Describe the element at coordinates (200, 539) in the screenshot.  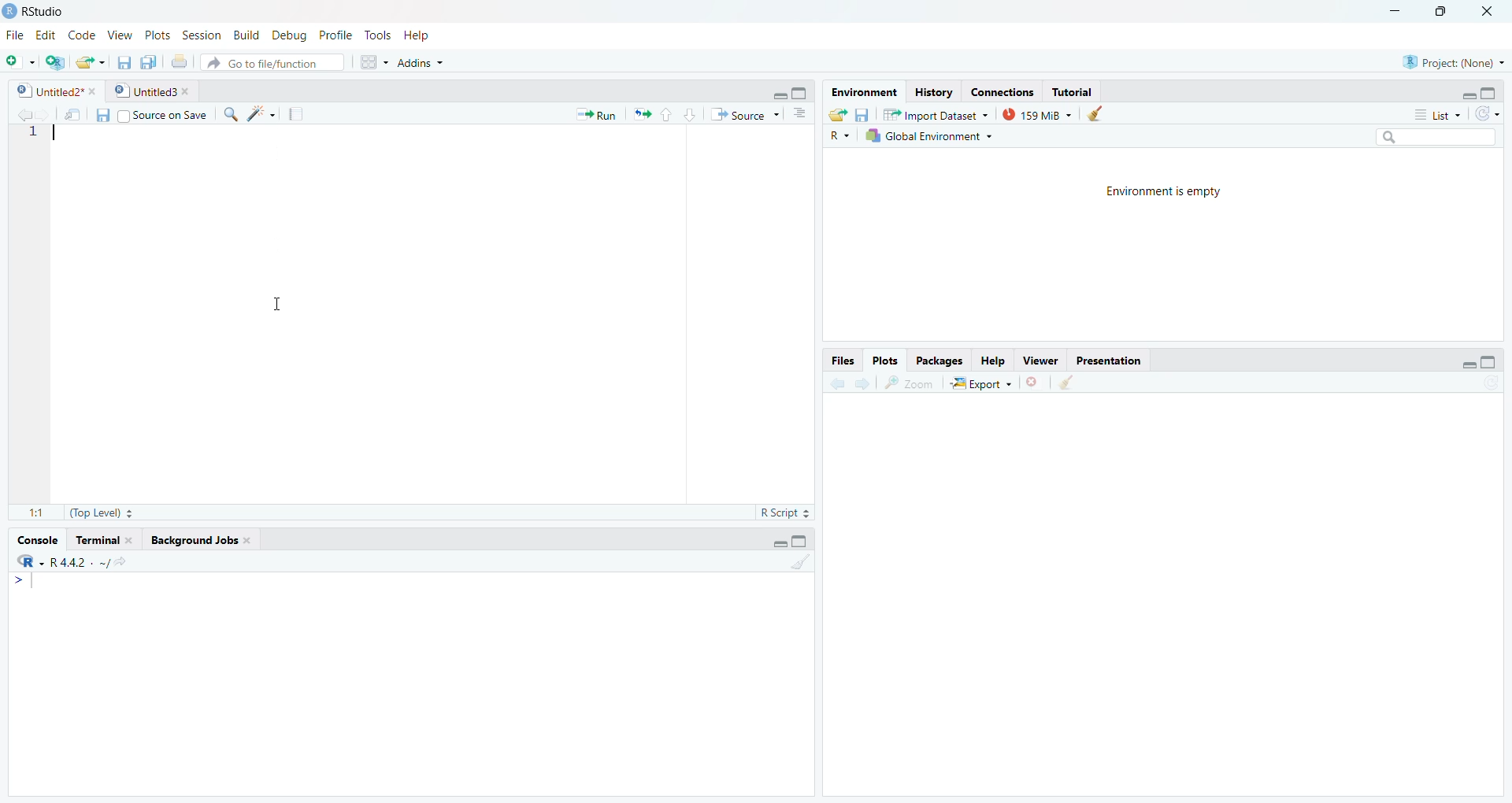
I see `Background Jobs` at that location.